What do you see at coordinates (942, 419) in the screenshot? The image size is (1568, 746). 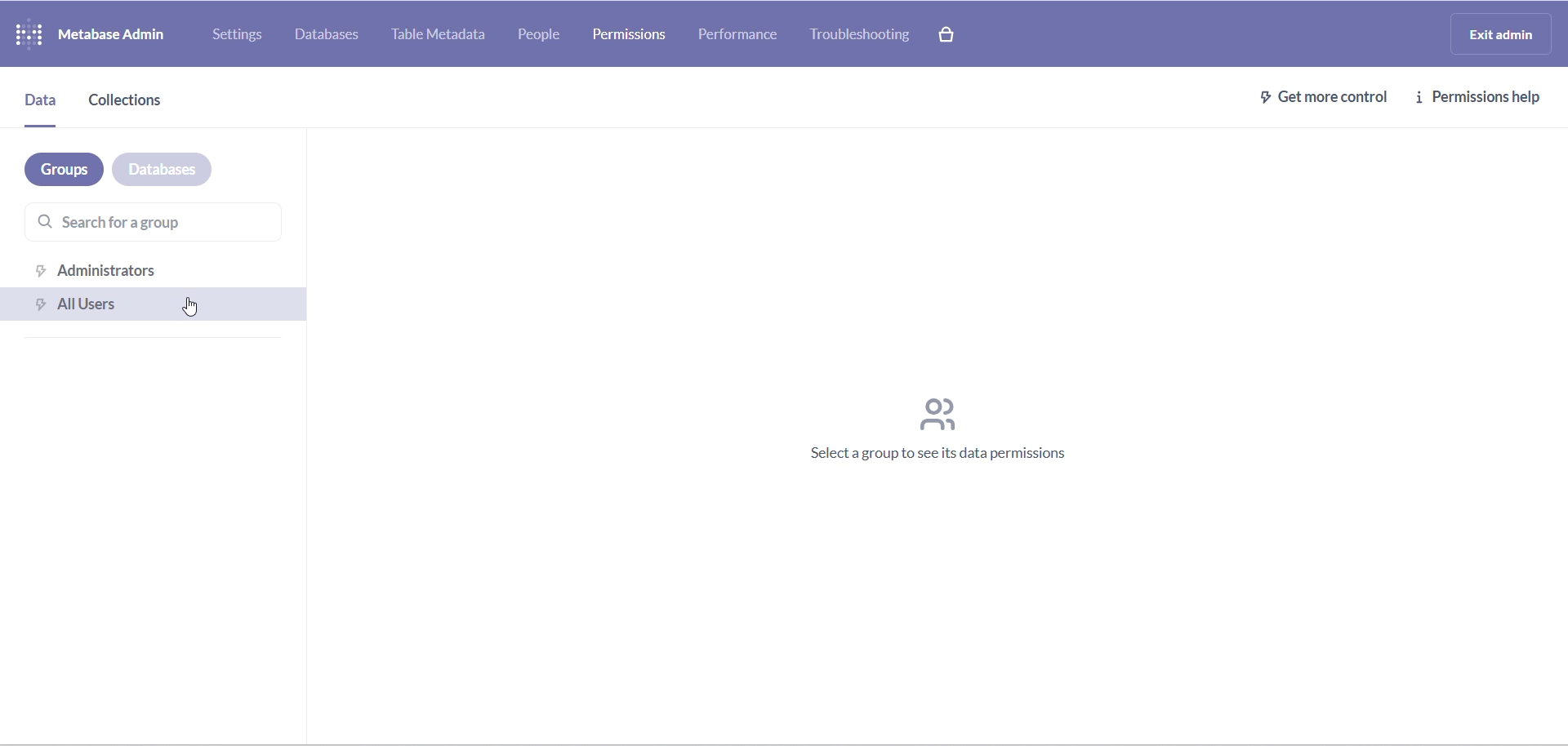 I see `text` at bounding box center [942, 419].